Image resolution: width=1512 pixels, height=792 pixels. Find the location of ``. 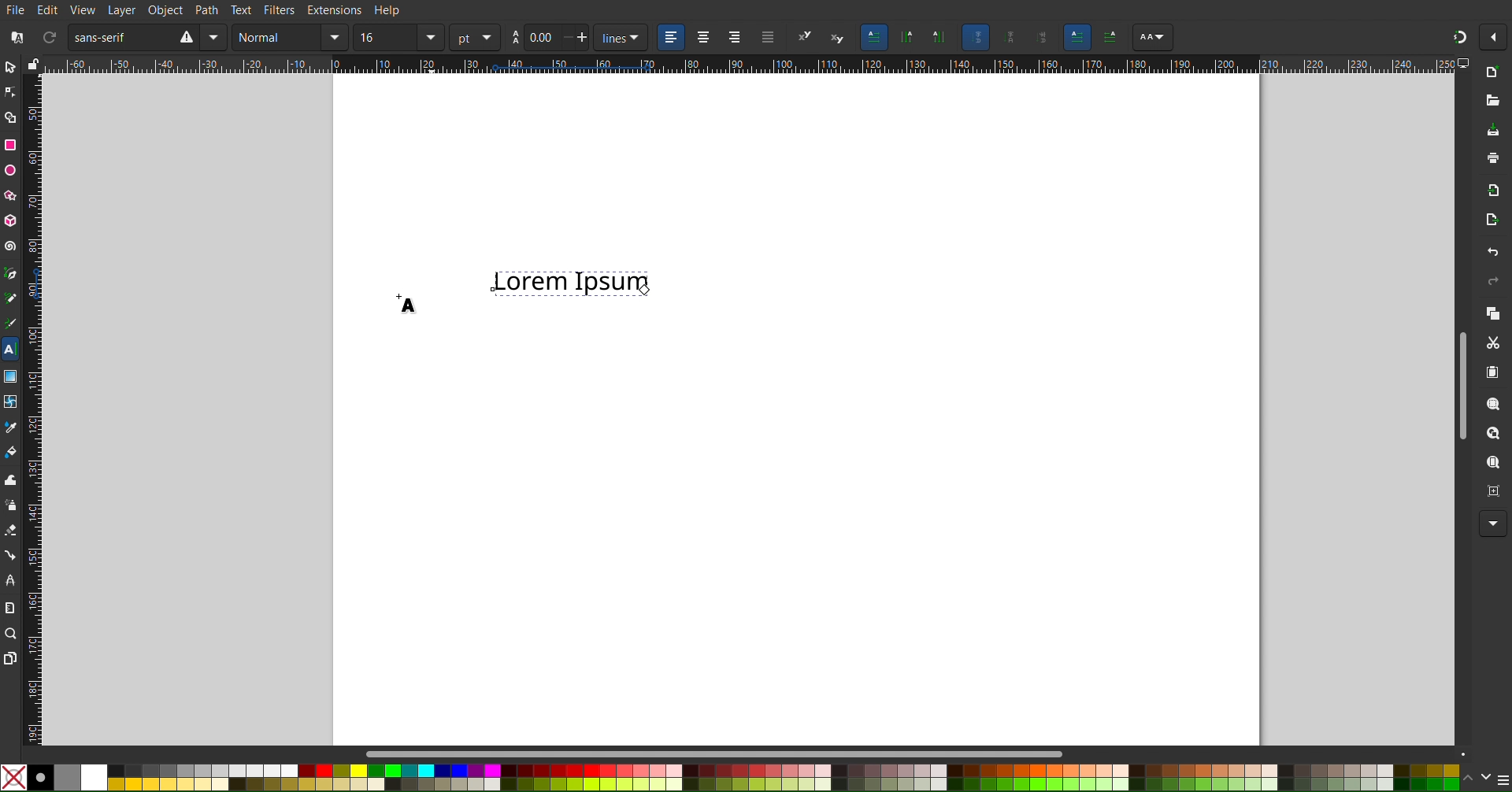

 is located at coordinates (1039, 39).